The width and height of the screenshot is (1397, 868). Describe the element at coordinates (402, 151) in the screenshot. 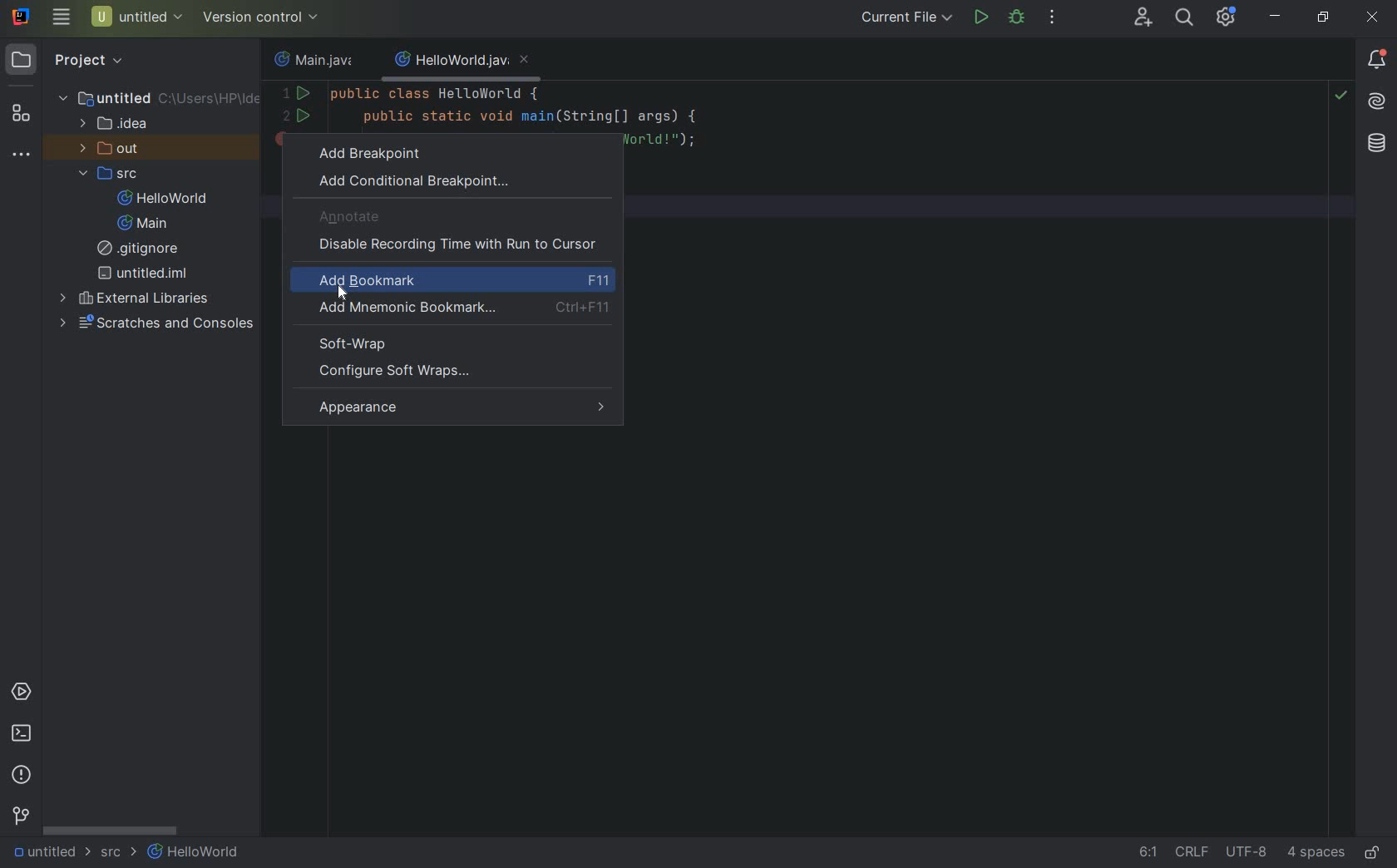

I see `Add breakpoint` at that location.